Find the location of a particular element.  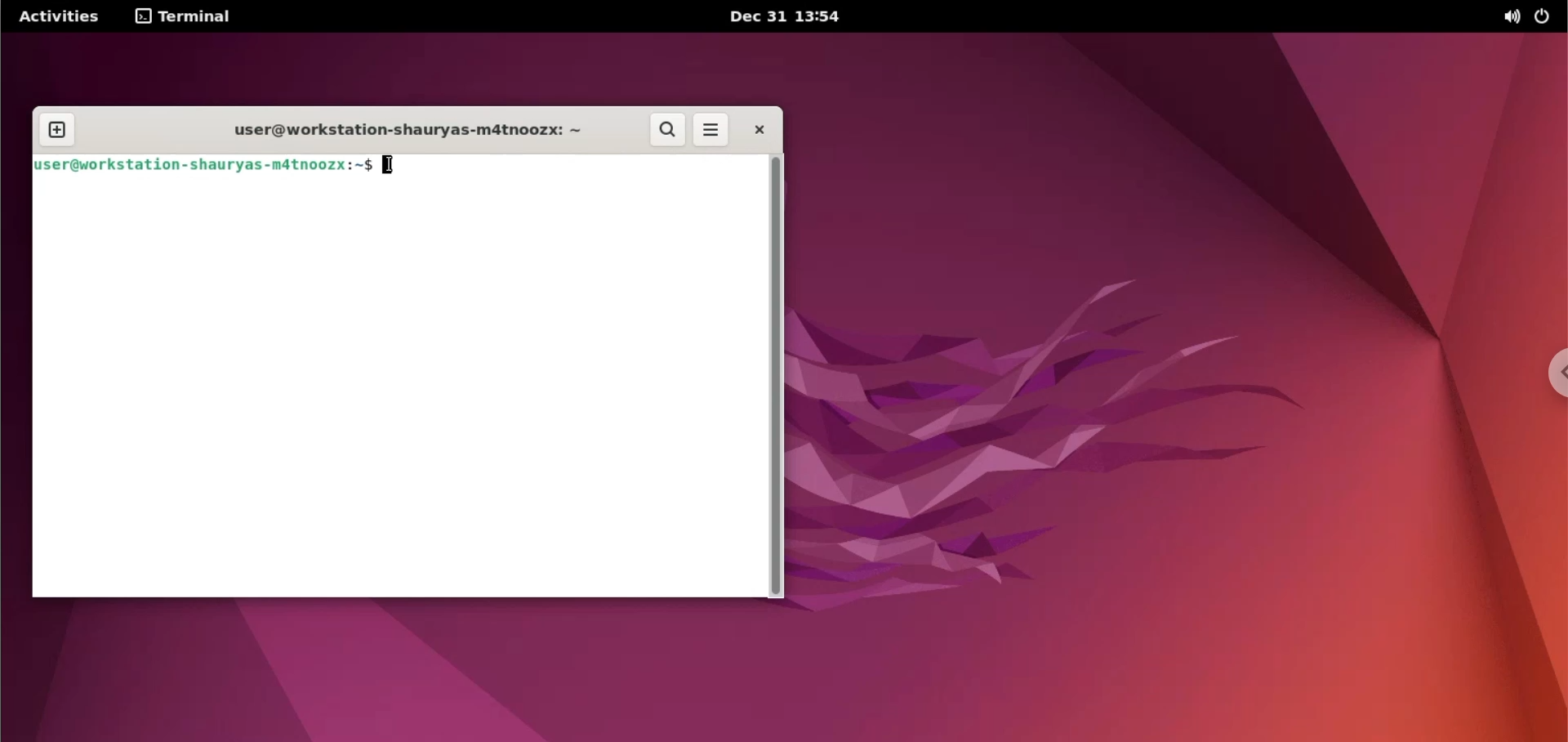

search is located at coordinates (669, 130).